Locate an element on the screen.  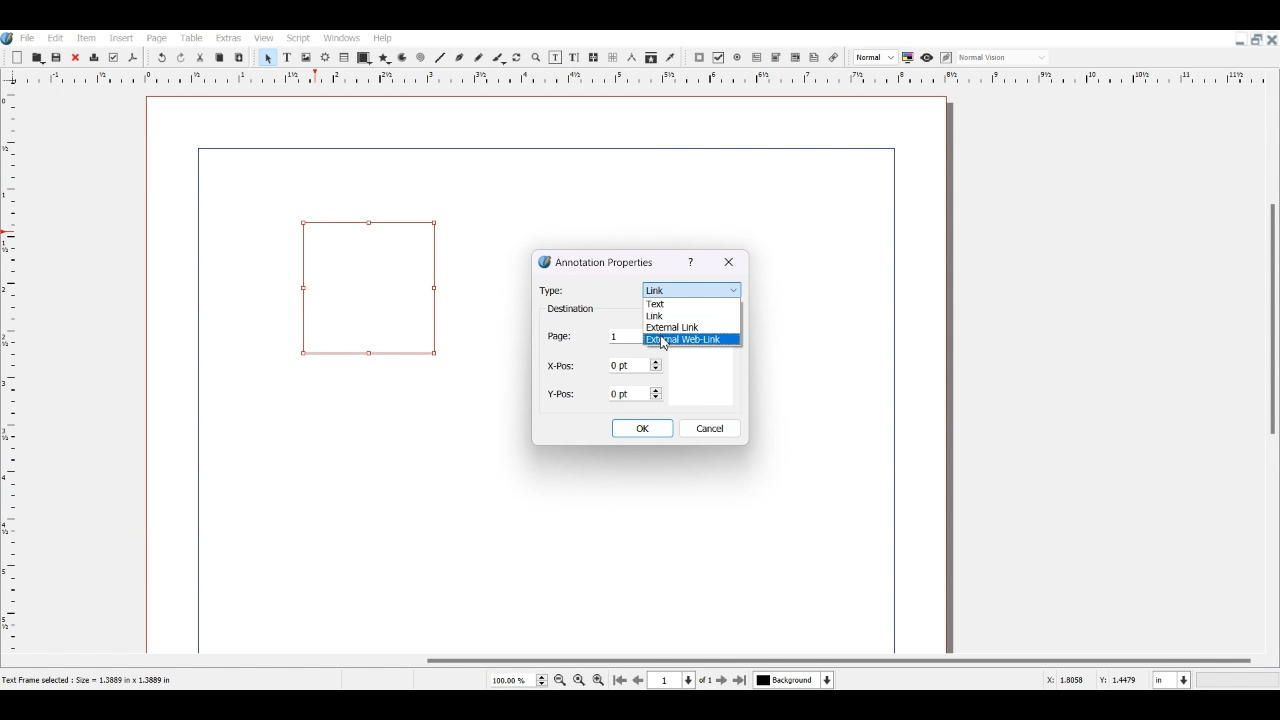
Edit content of frame is located at coordinates (555, 57).